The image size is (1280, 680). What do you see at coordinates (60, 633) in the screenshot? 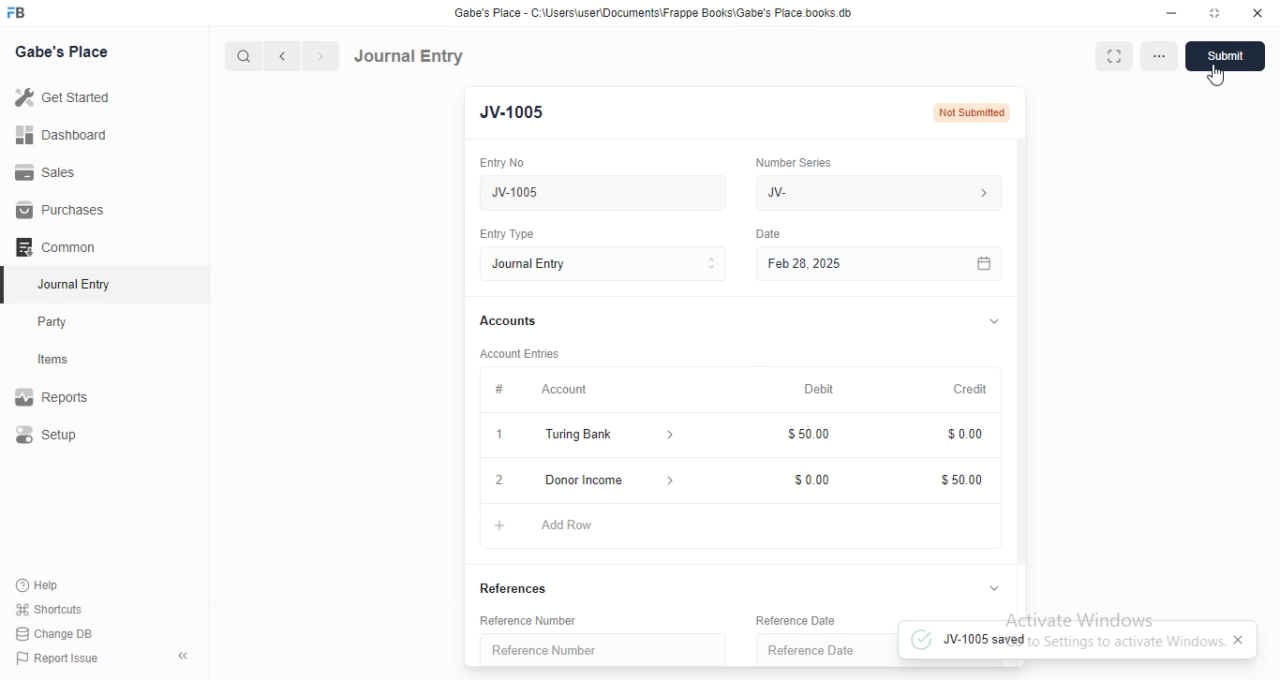
I see `Change DB` at bounding box center [60, 633].